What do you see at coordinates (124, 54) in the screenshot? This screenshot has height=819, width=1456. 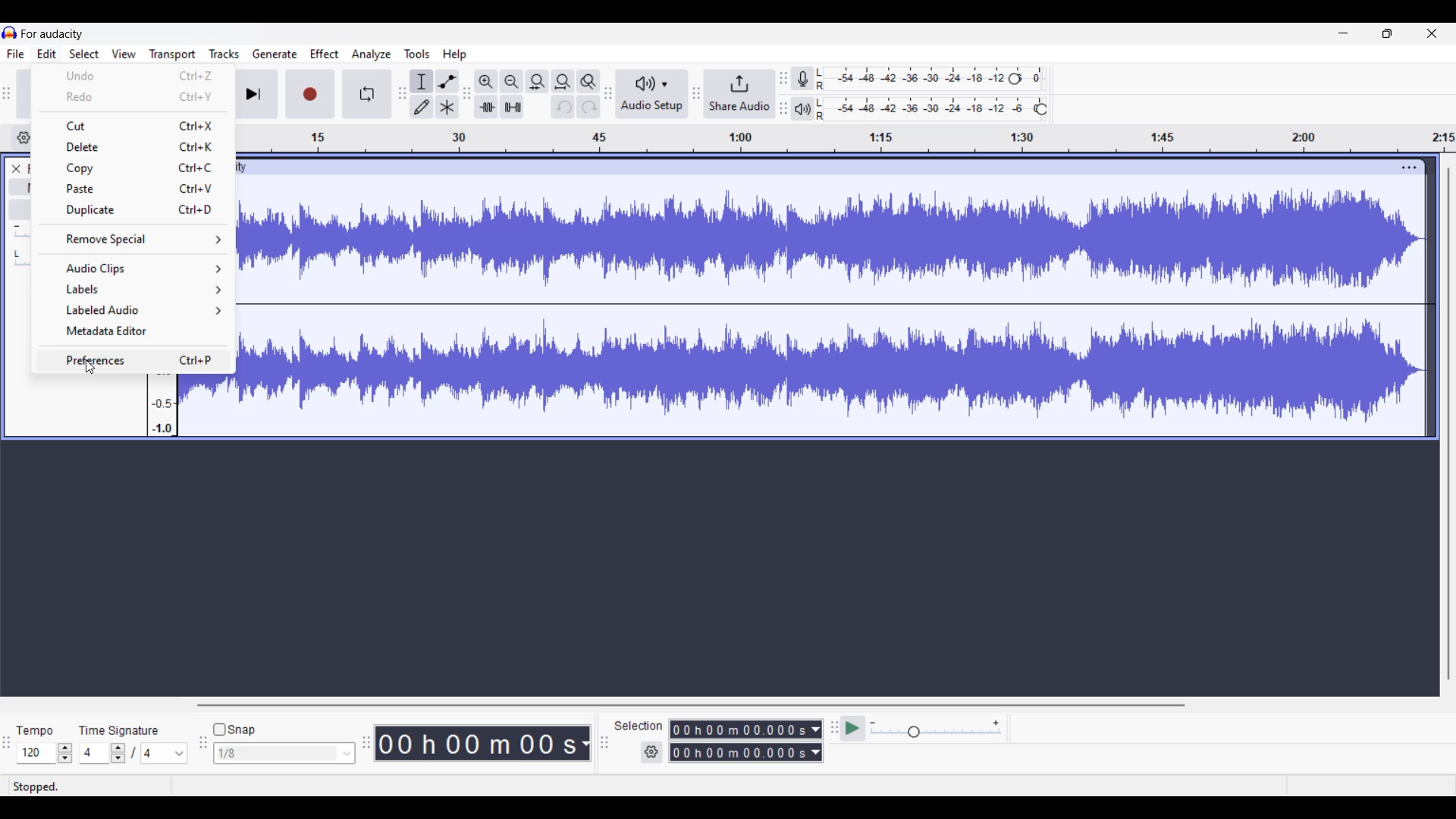 I see `View menu` at bounding box center [124, 54].